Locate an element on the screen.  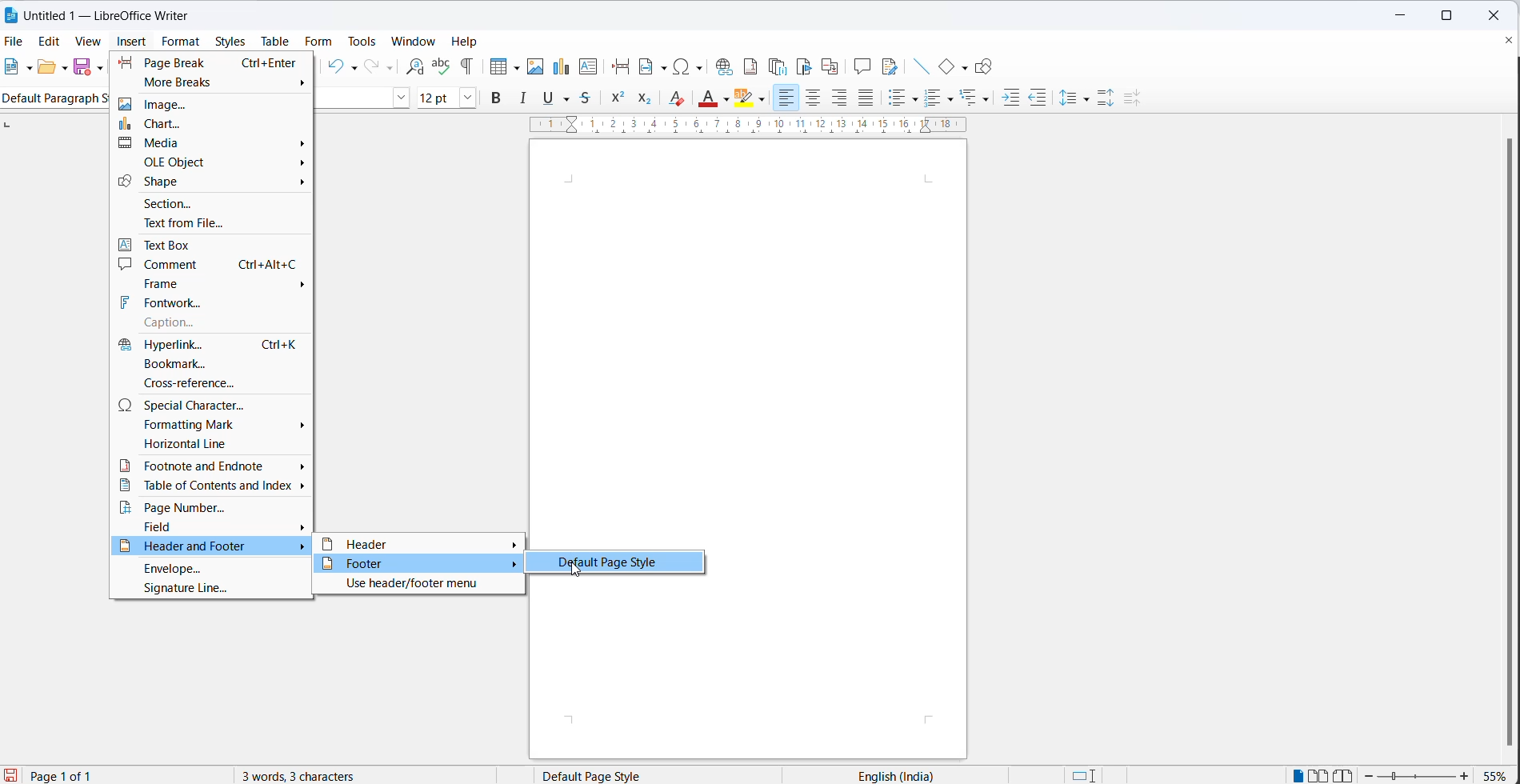
chart is located at coordinates (211, 124).